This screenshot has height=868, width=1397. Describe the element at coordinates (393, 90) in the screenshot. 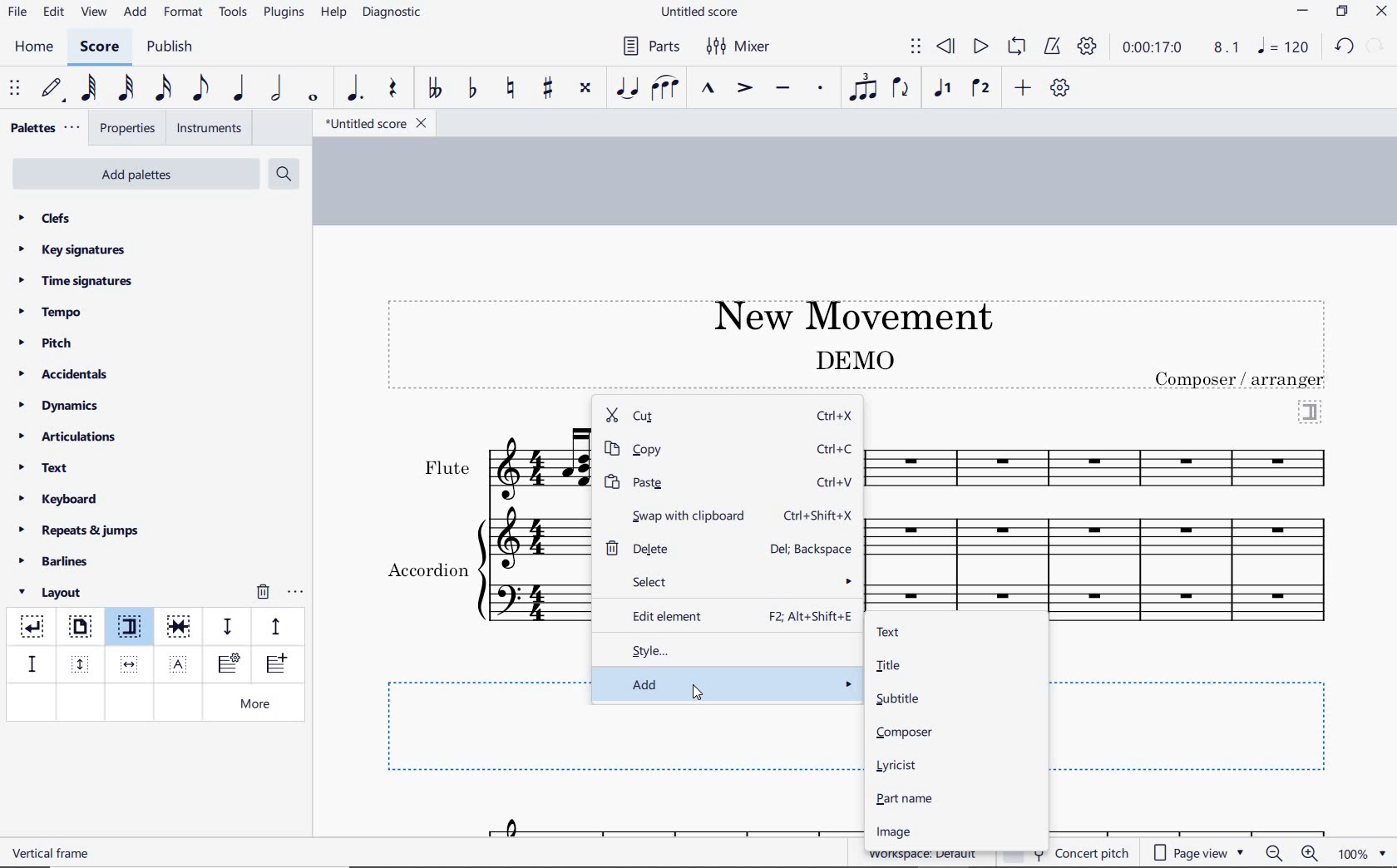

I see `rest` at that location.